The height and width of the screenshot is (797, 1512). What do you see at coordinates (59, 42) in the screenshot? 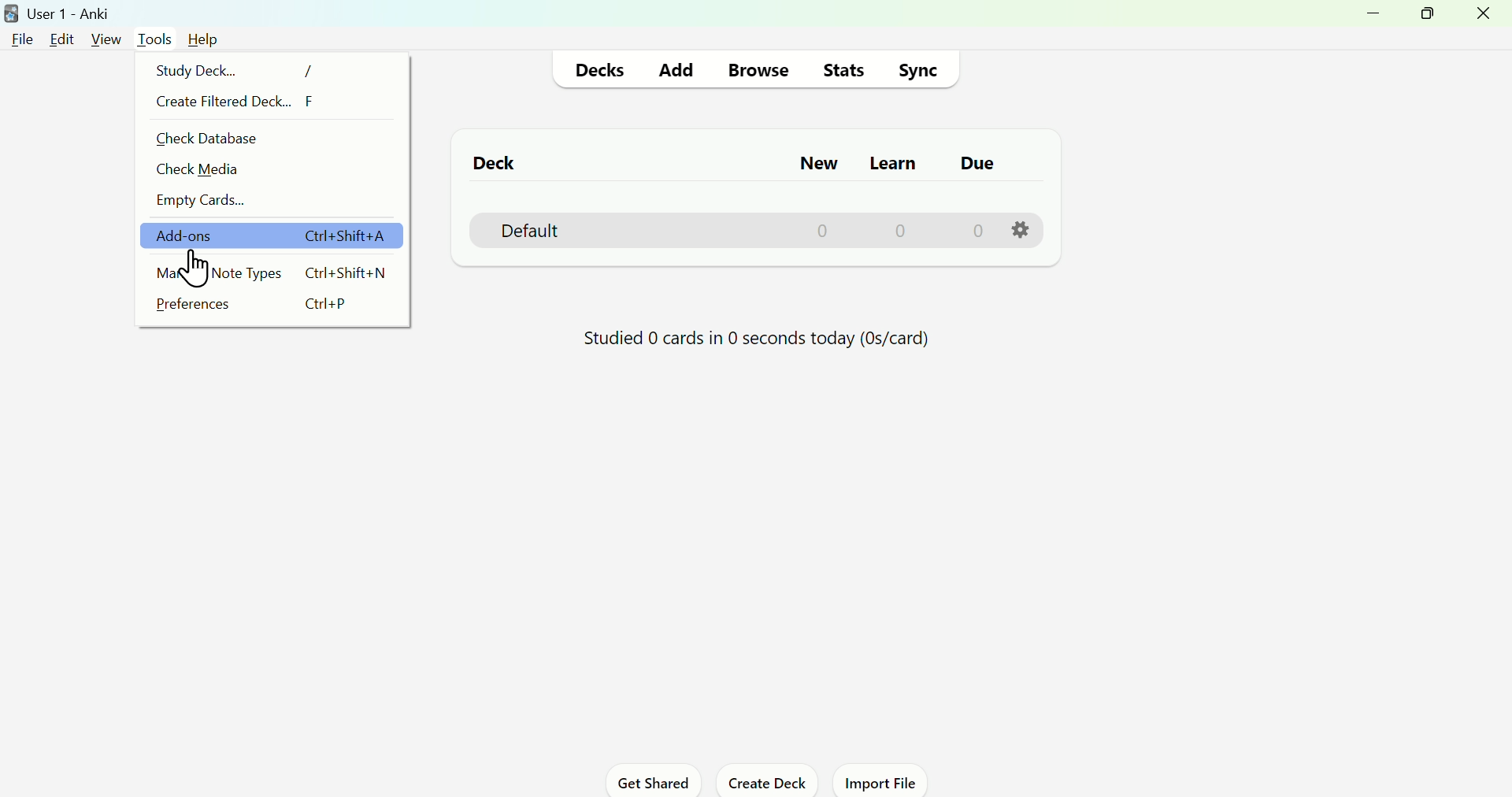
I see `Edit` at bounding box center [59, 42].